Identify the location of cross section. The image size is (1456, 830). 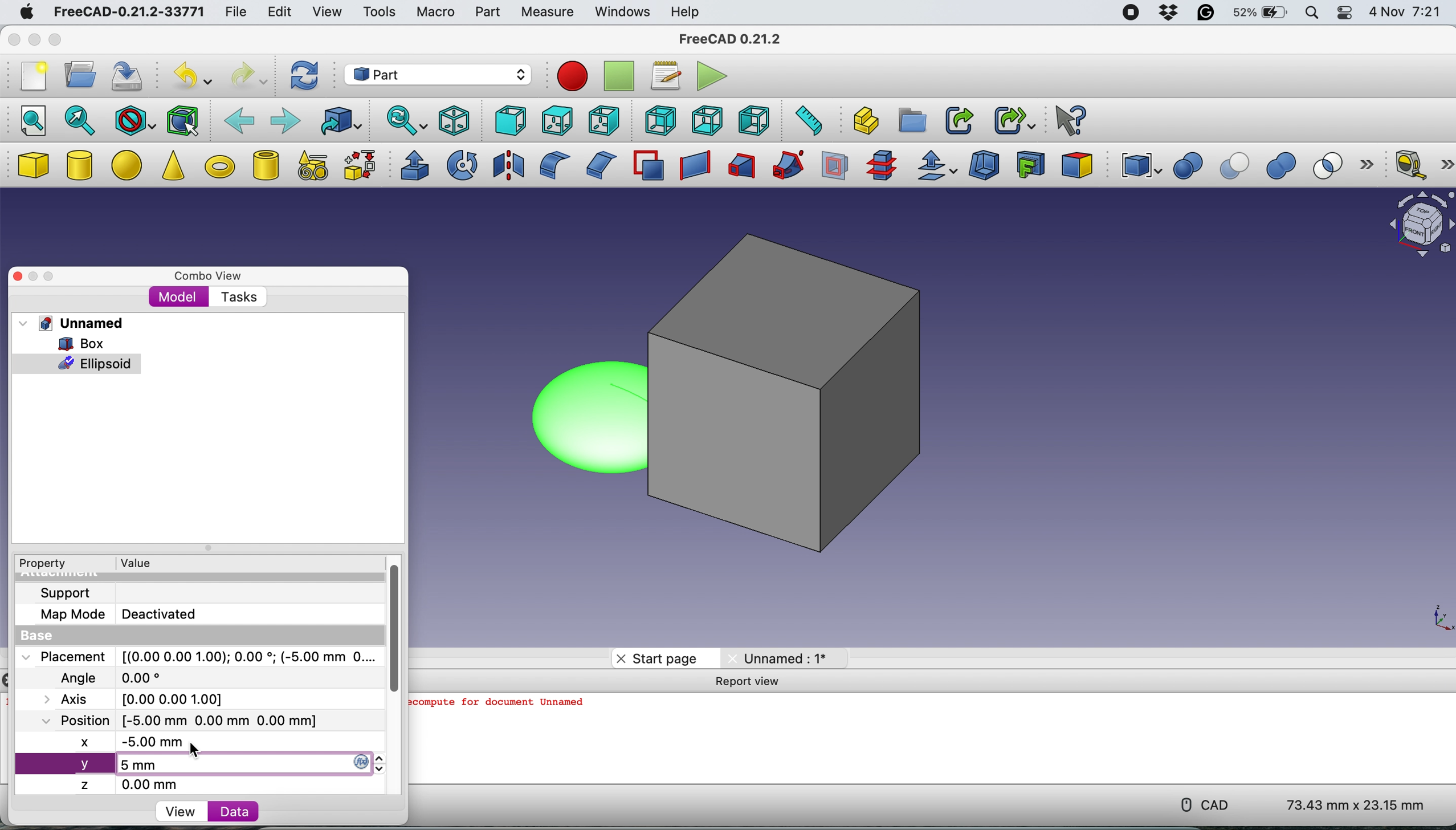
(882, 166).